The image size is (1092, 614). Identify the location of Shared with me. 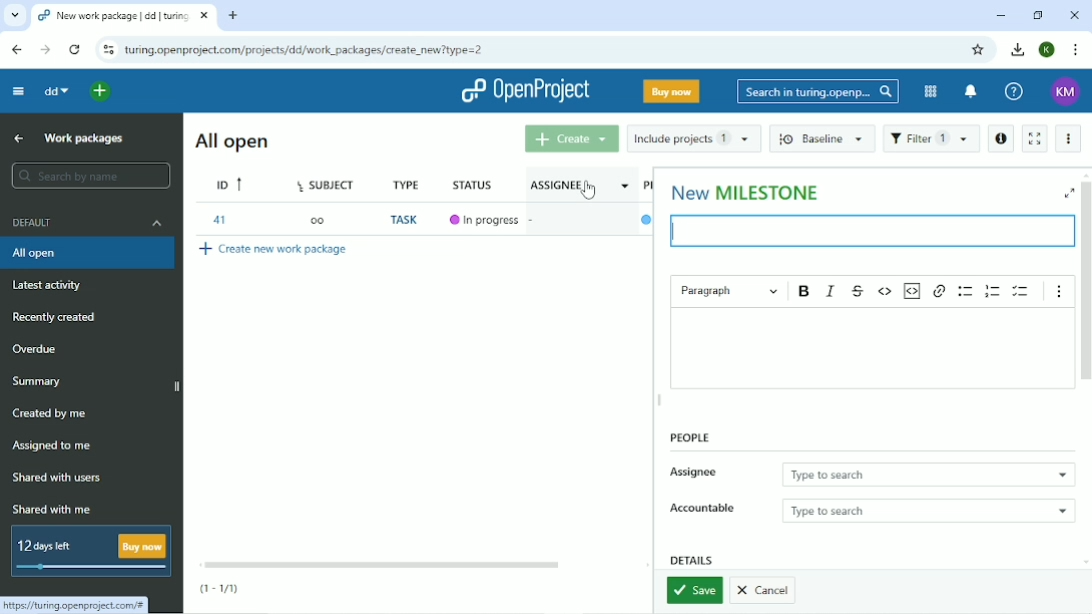
(49, 509).